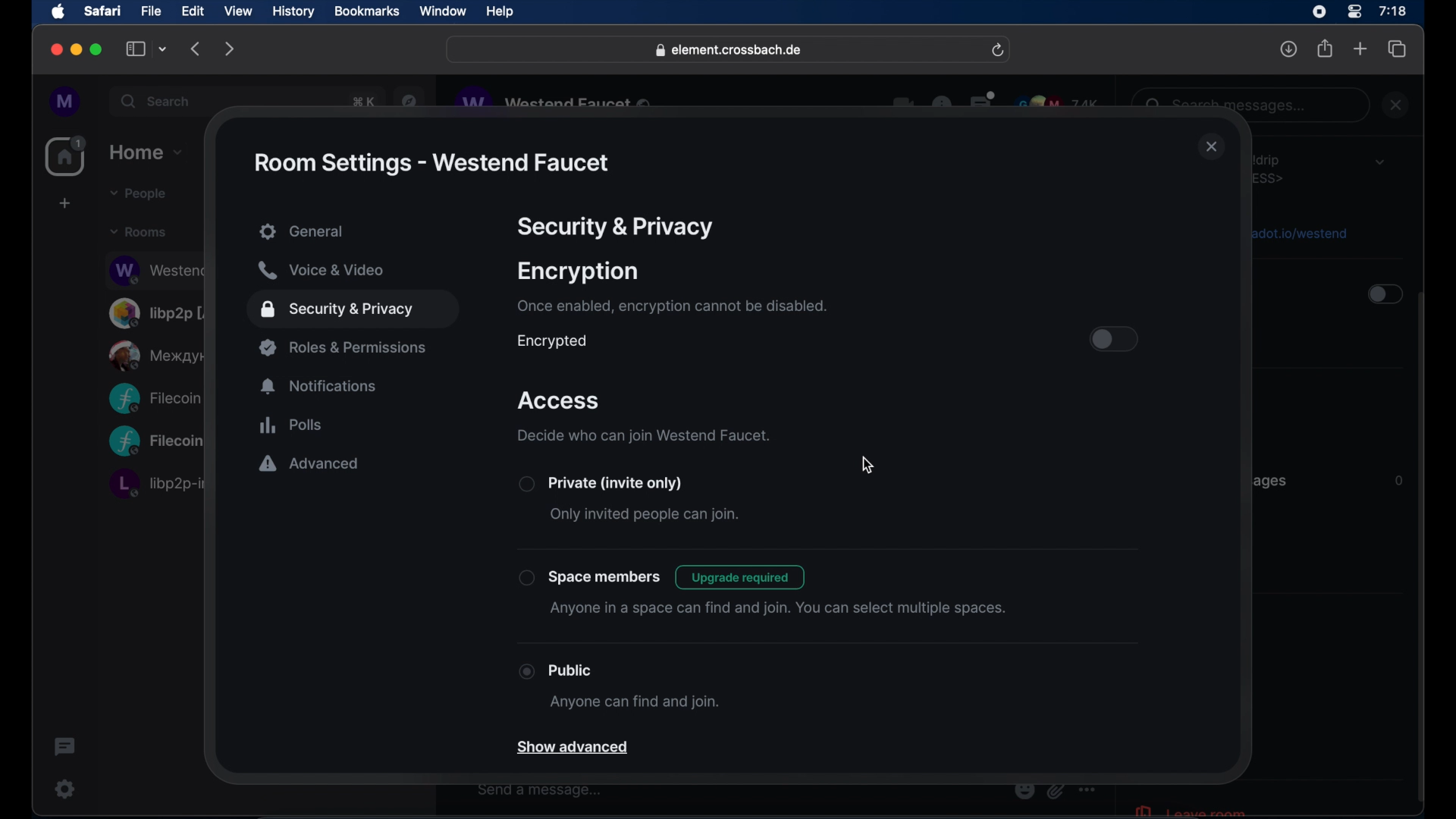 Image resolution: width=1456 pixels, height=819 pixels. I want to click on show sidebar, so click(136, 49).